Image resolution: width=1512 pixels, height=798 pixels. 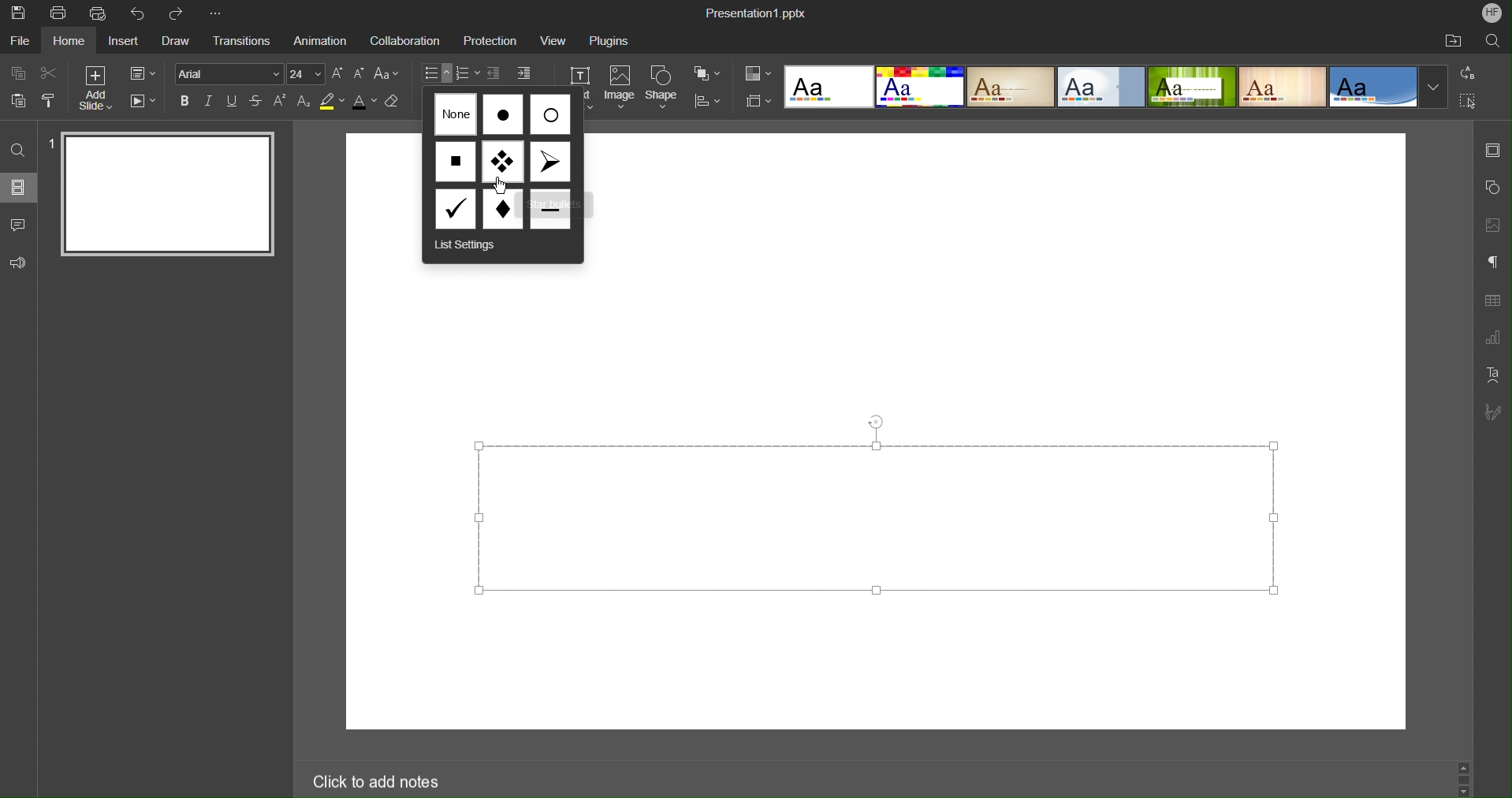 What do you see at coordinates (501, 185) in the screenshot?
I see `cursor` at bounding box center [501, 185].